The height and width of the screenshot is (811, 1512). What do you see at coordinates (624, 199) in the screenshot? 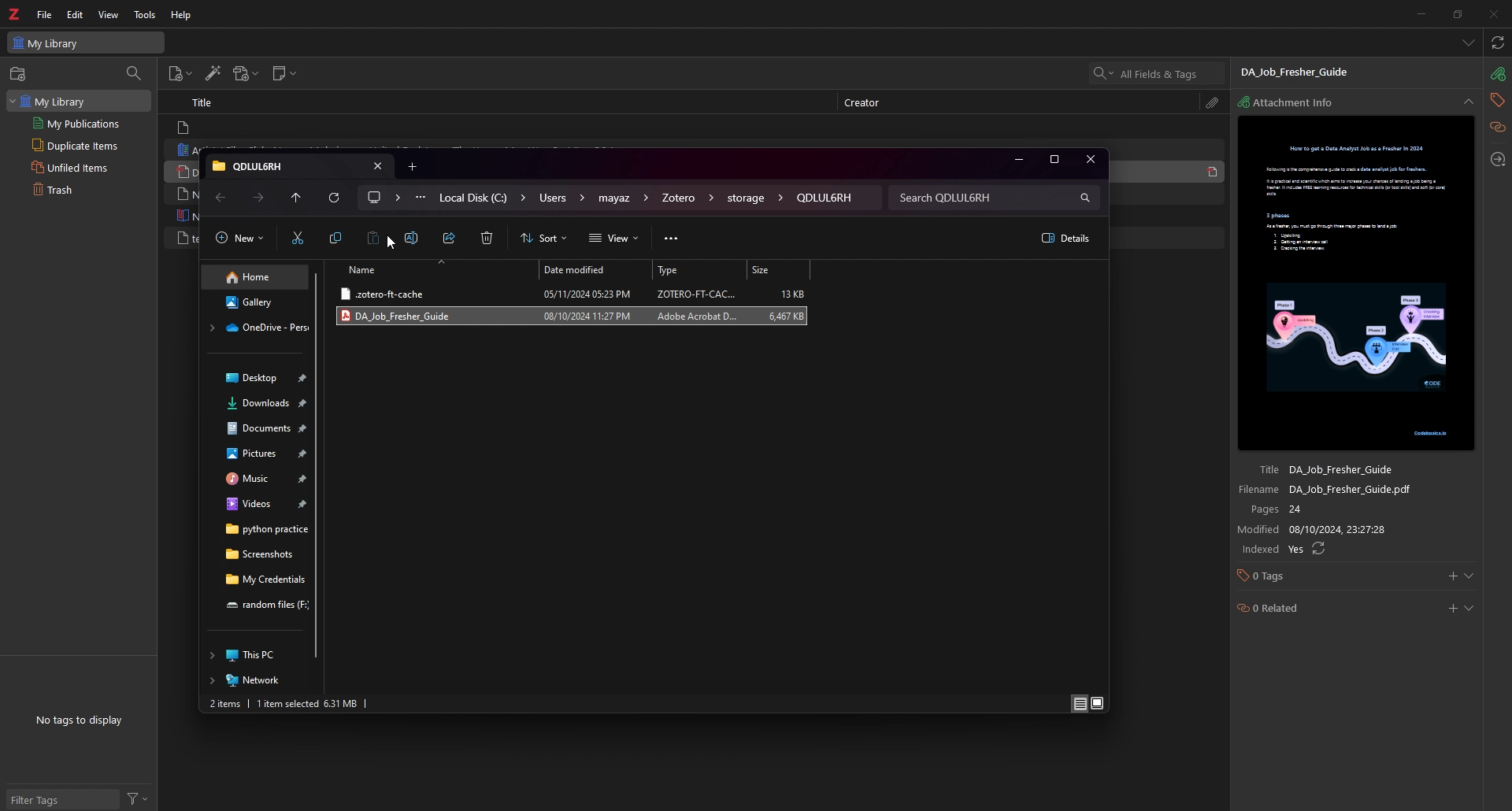
I see `folder` at bounding box center [624, 199].